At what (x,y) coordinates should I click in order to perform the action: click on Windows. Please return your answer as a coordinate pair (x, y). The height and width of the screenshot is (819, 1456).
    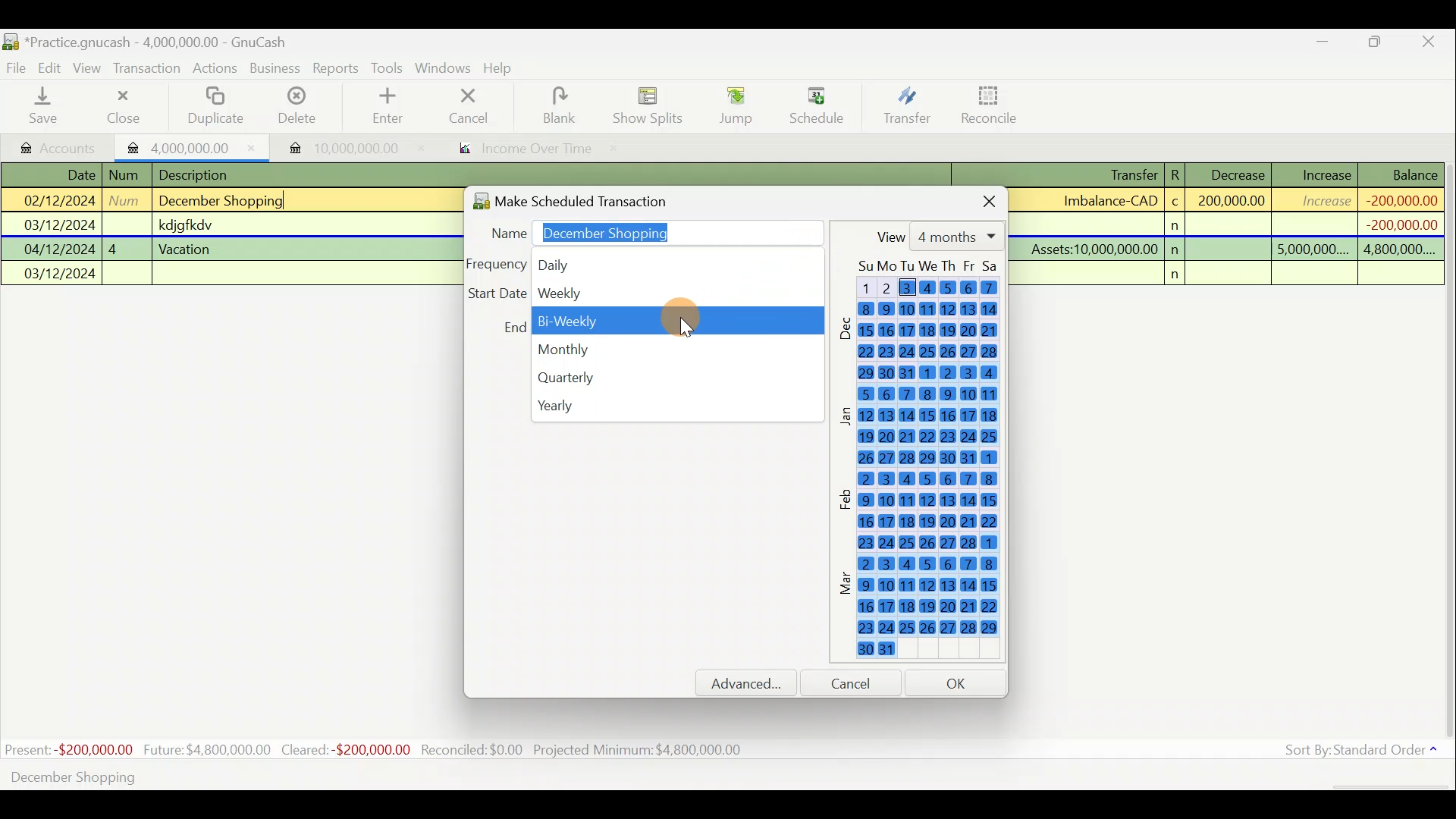
    Looking at the image, I should click on (445, 69).